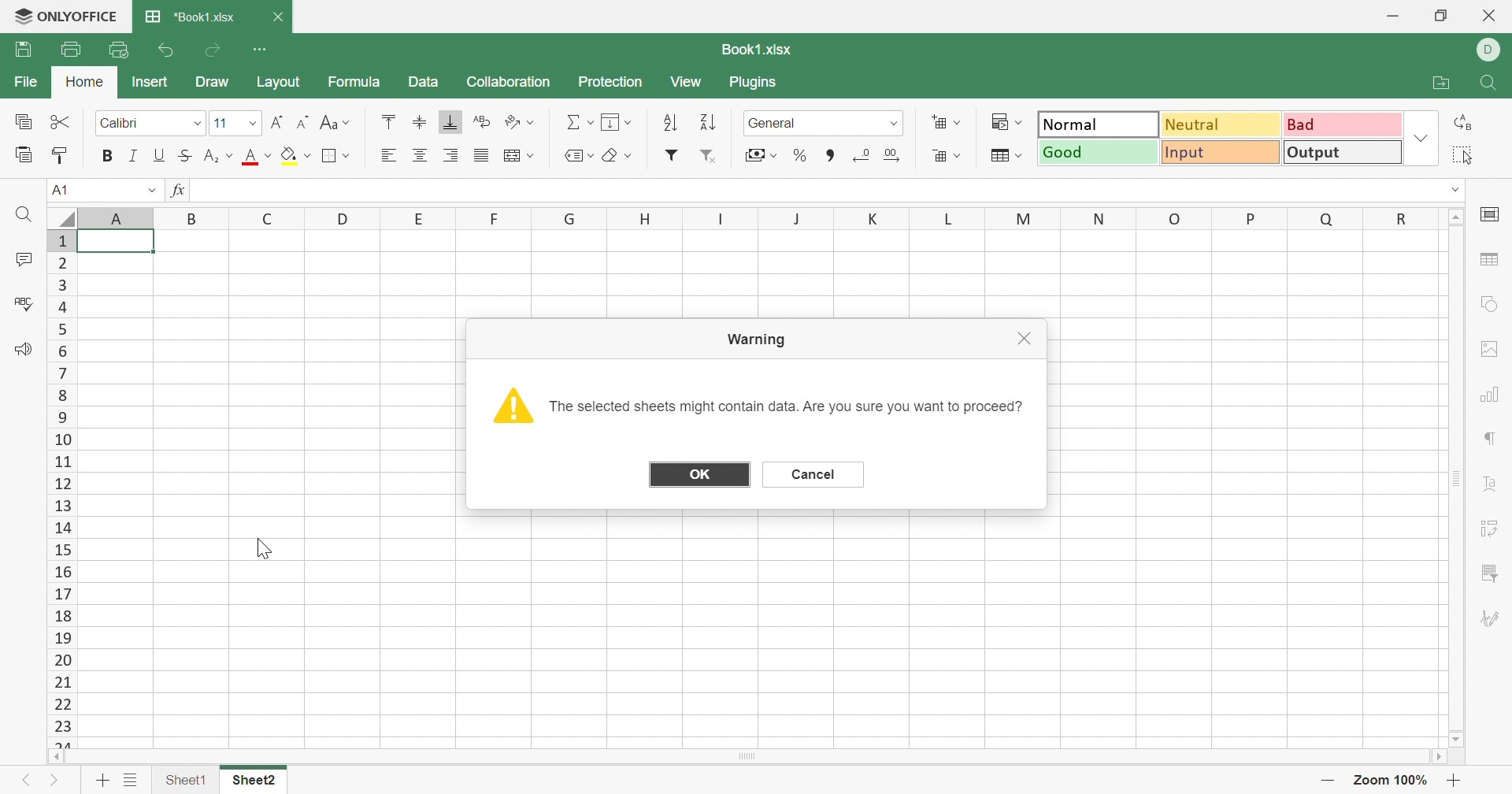  Describe the element at coordinates (169, 50) in the screenshot. I see `Undo` at that location.